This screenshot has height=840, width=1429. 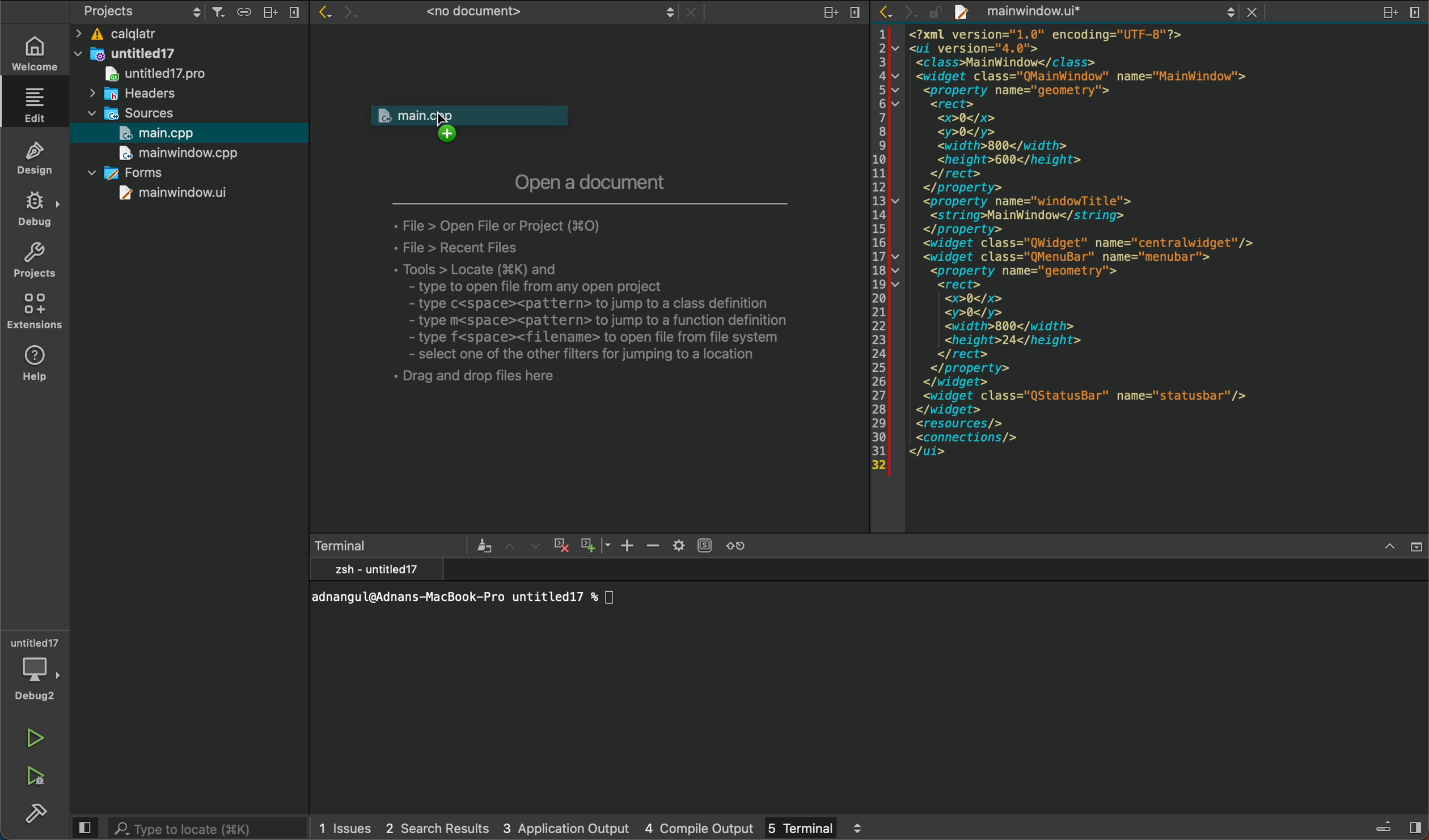 I want to click on calqlatr, so click(x=161, y=35).